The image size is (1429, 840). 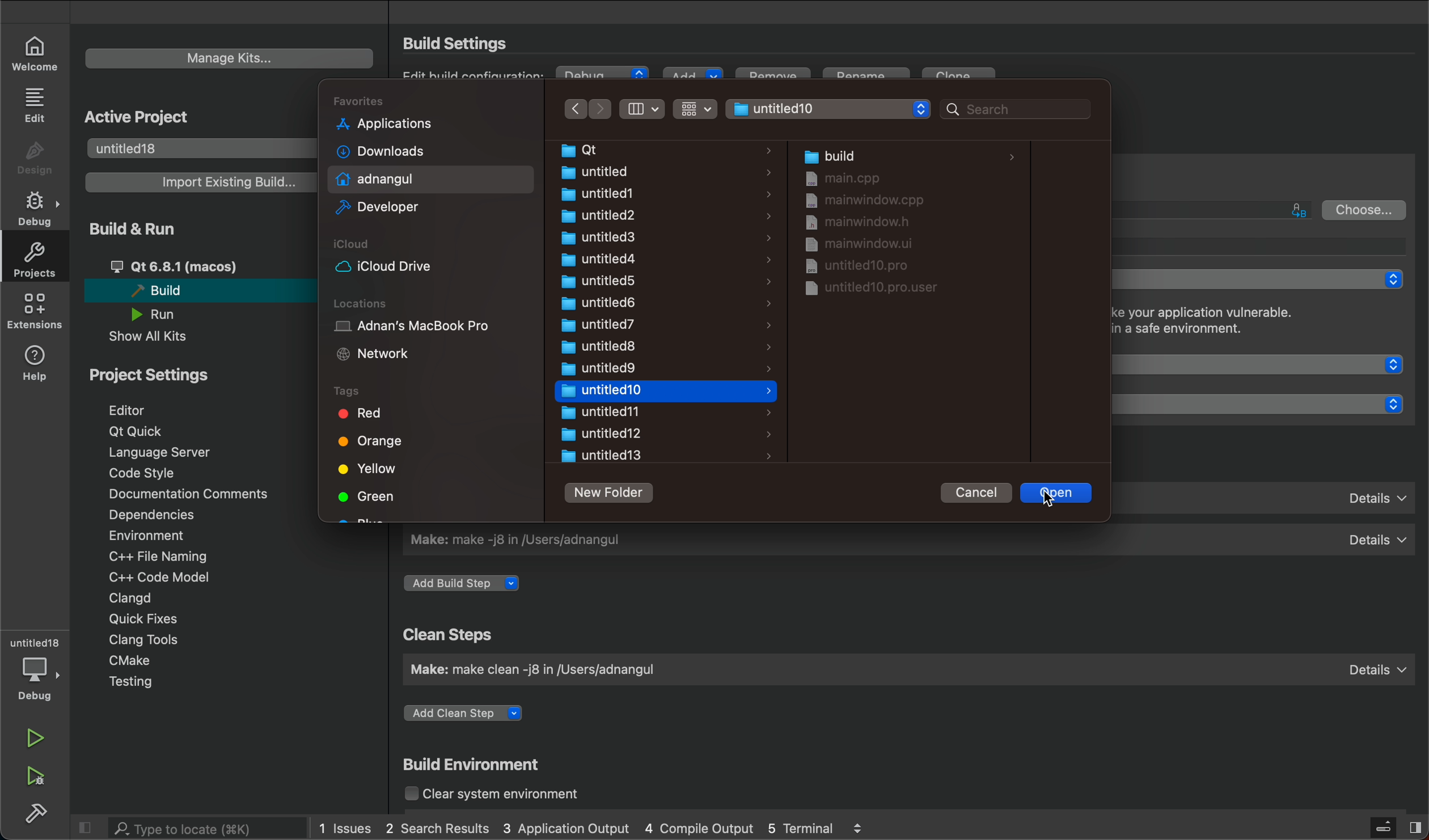 What do you see at coordinates (653, 258) in the screenshot?
I see `untitled4` at bounding box center [653, 258].